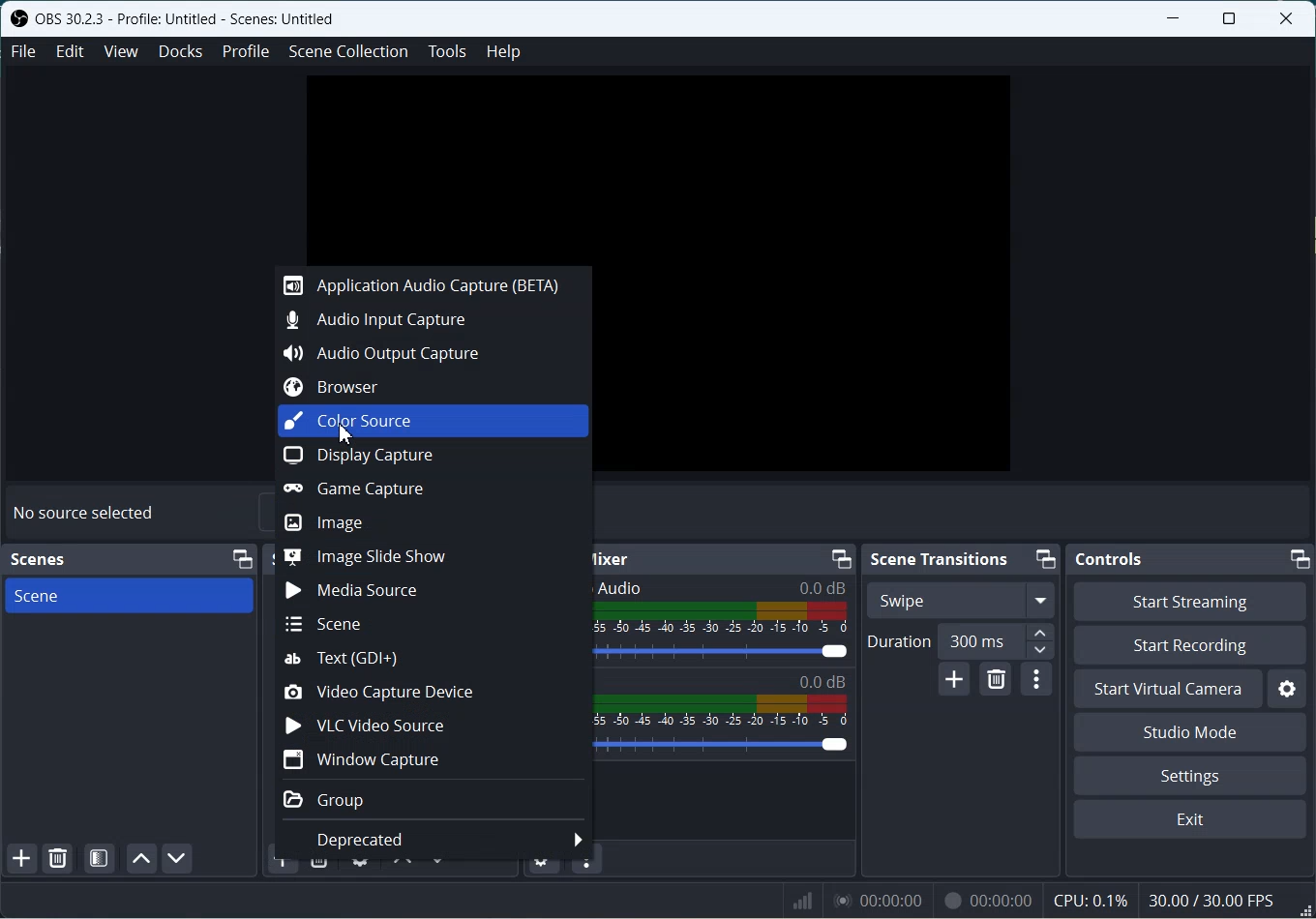 This screenshot has height=919, width=1316. Describe the element at coordinates (503, 52) in the screenshot. I see `Help` at that location.